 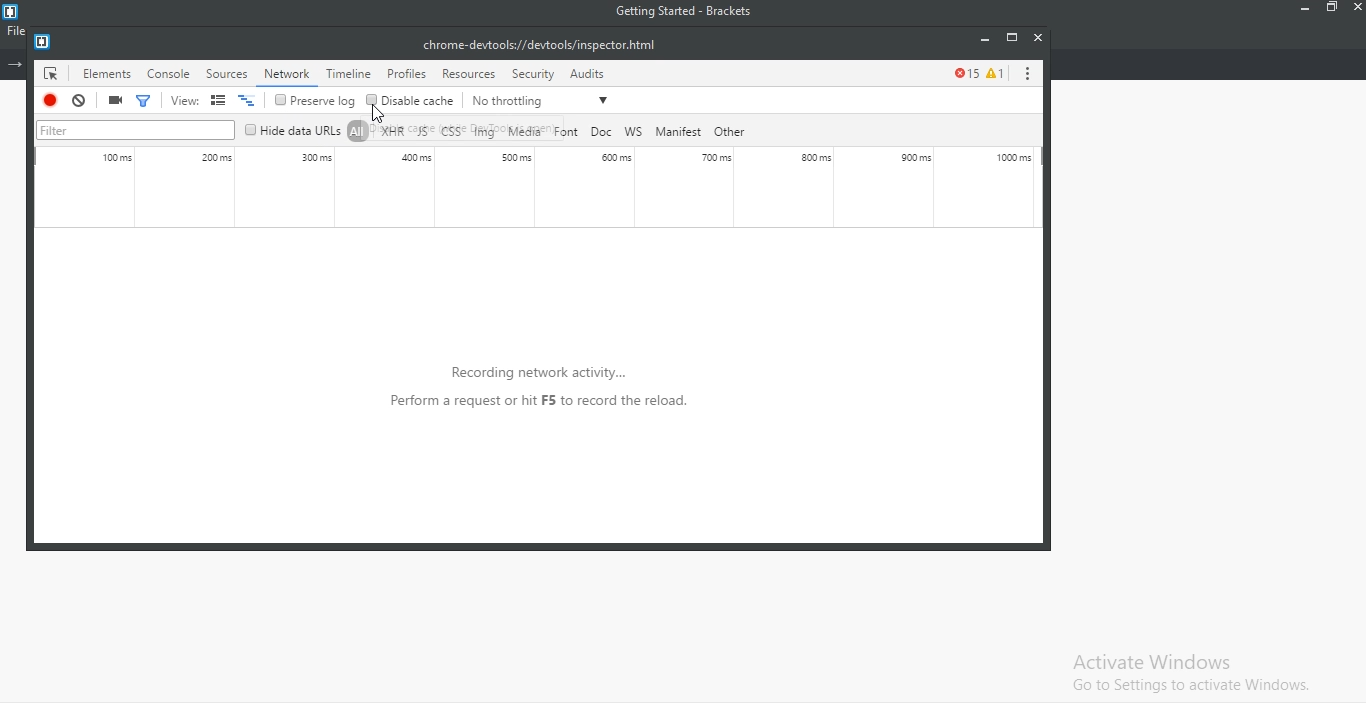 I want to click on recording network activity, so click(x=520, y=408).